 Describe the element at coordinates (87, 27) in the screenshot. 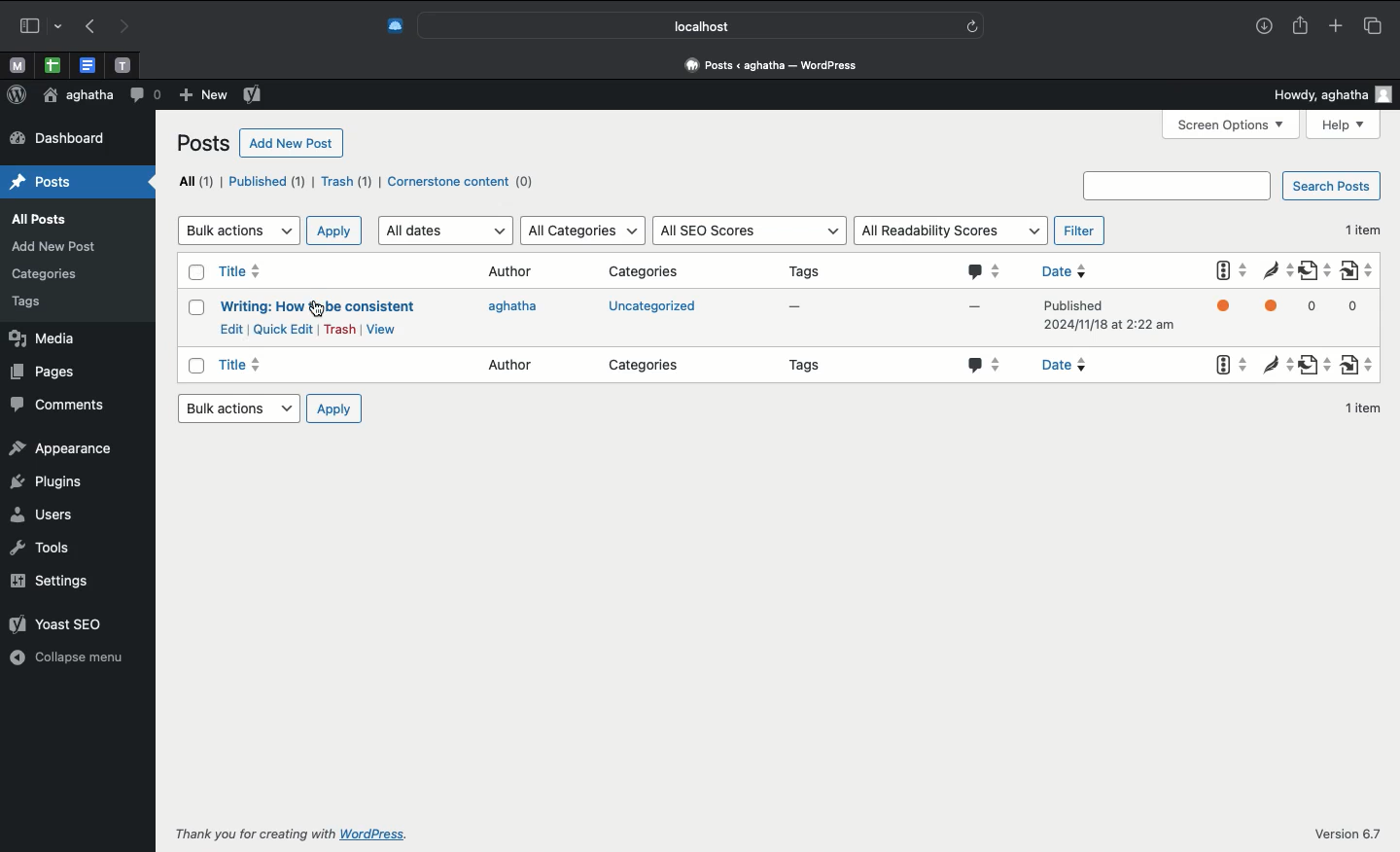

I see `Previous page` at that location.